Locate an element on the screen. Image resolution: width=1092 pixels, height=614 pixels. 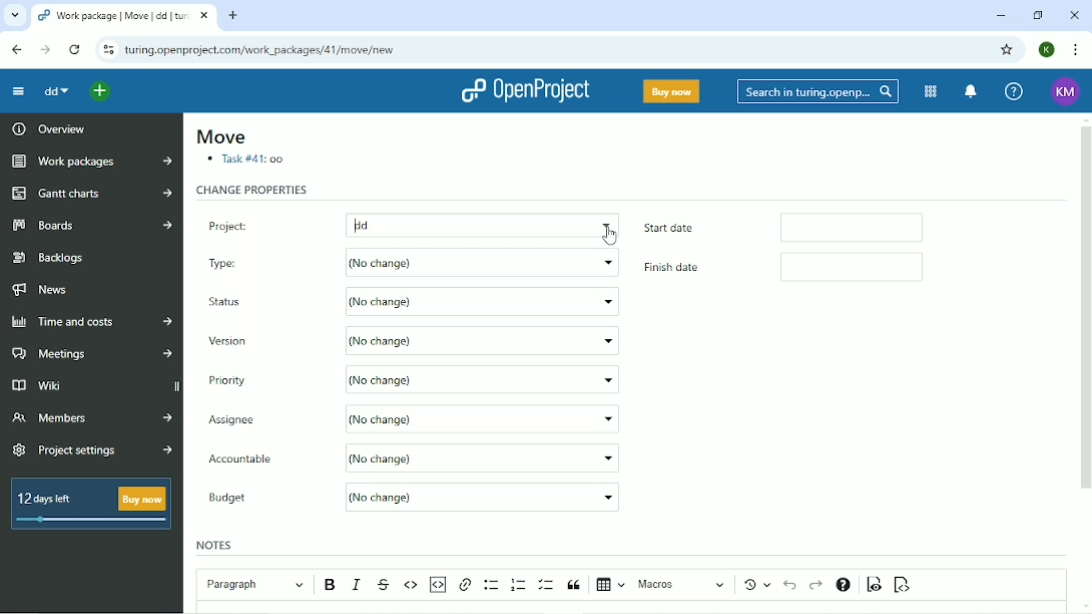
Link is located at coordinates (465, 585).